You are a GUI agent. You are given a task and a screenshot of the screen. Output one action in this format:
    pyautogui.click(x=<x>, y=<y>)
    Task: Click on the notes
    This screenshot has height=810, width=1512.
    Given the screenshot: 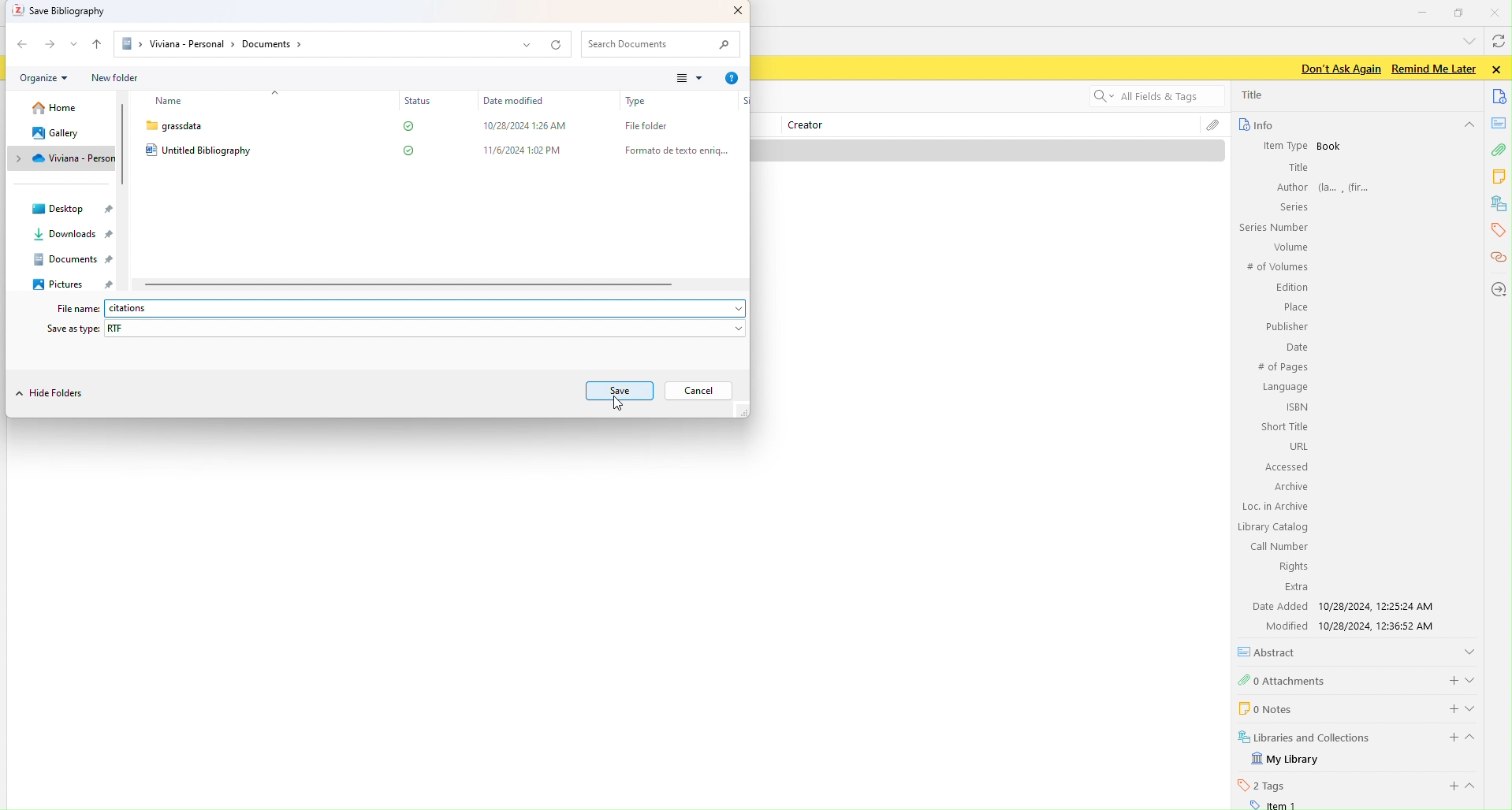 What is the action you would take?
    pyautogui.click(x=1500, y=176)
    